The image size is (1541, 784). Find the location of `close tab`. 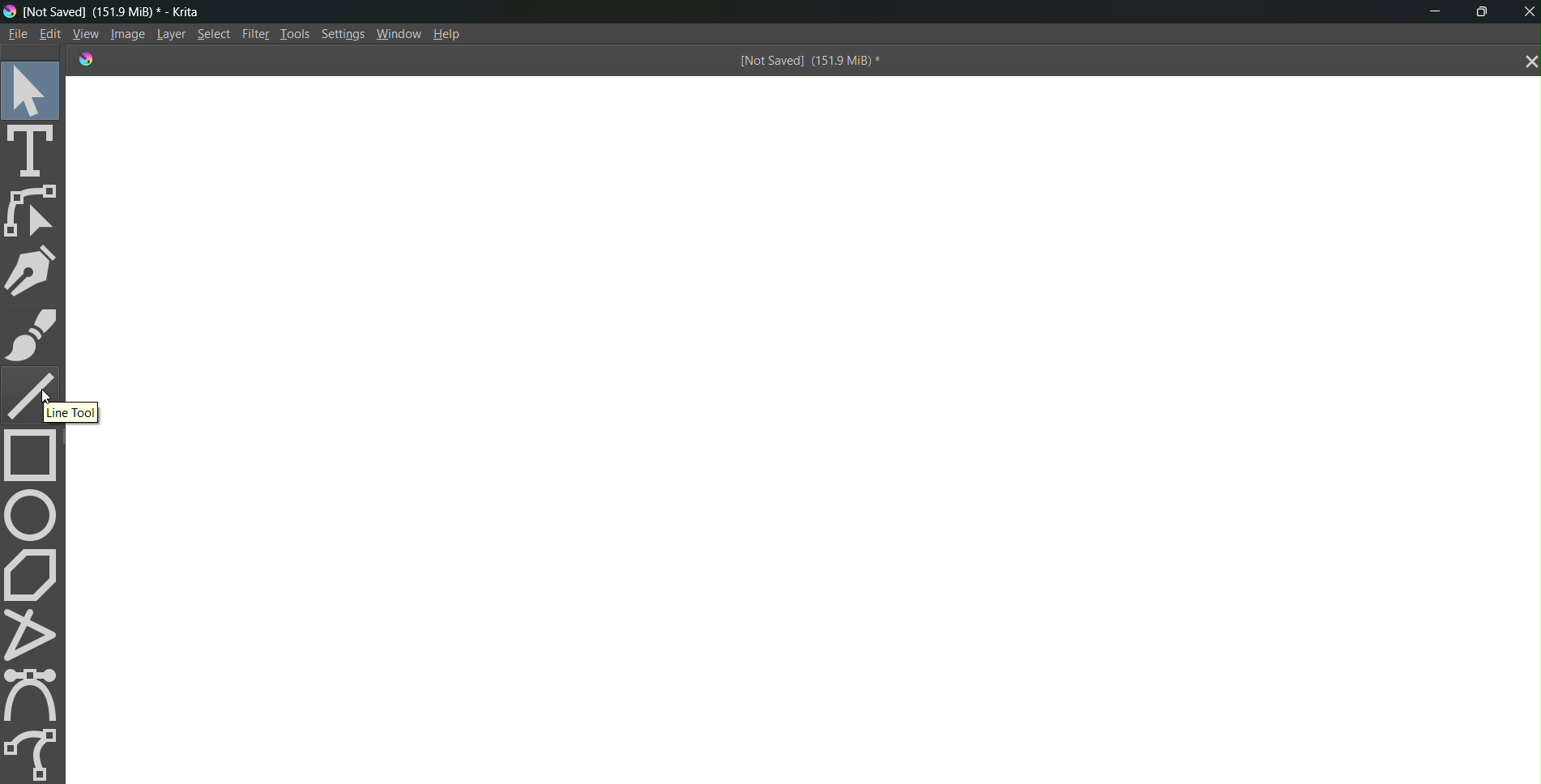

close tab is located at coordinates (1526, 62).